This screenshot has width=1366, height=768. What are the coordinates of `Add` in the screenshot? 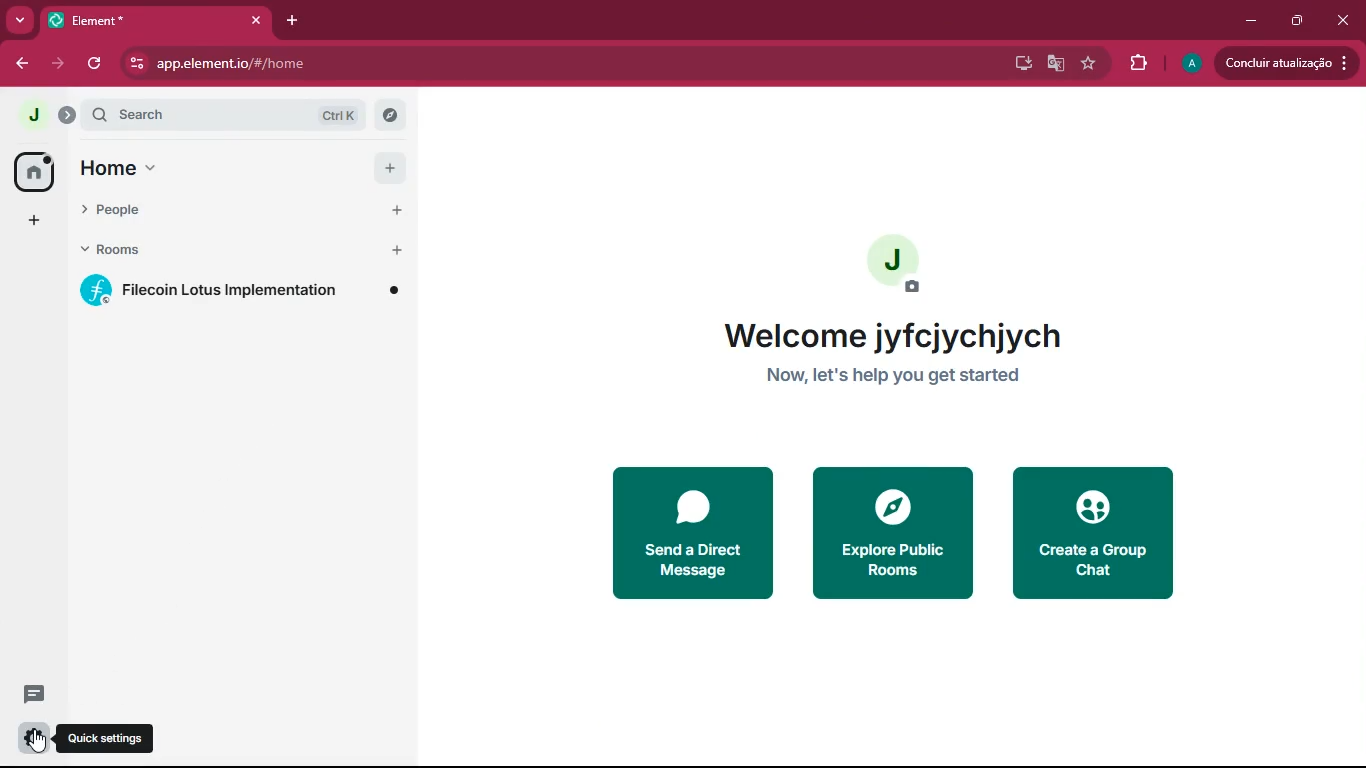 It's located at (397, 251).